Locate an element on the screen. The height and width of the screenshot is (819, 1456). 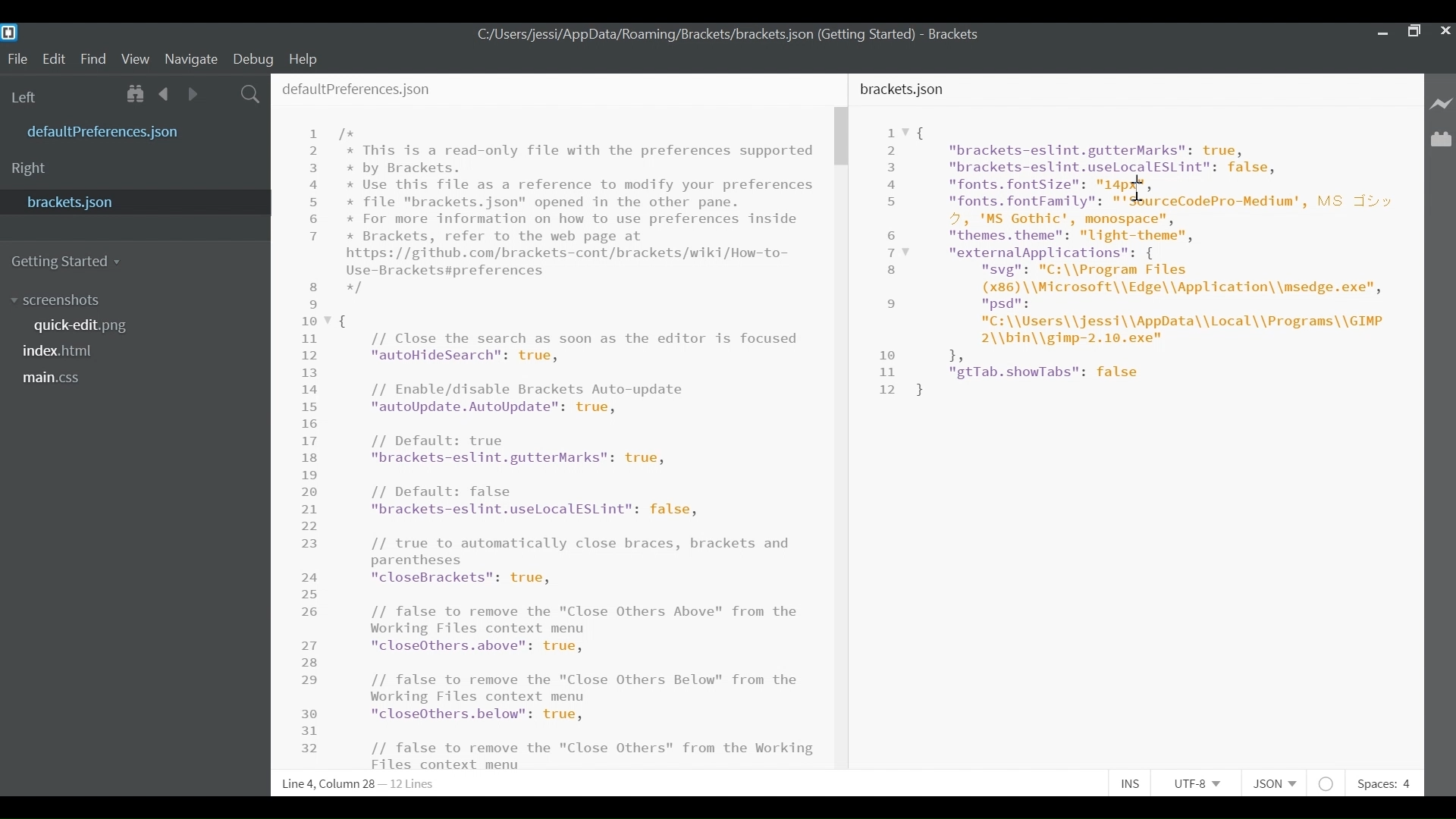
View is located at coordinates (136, 58).